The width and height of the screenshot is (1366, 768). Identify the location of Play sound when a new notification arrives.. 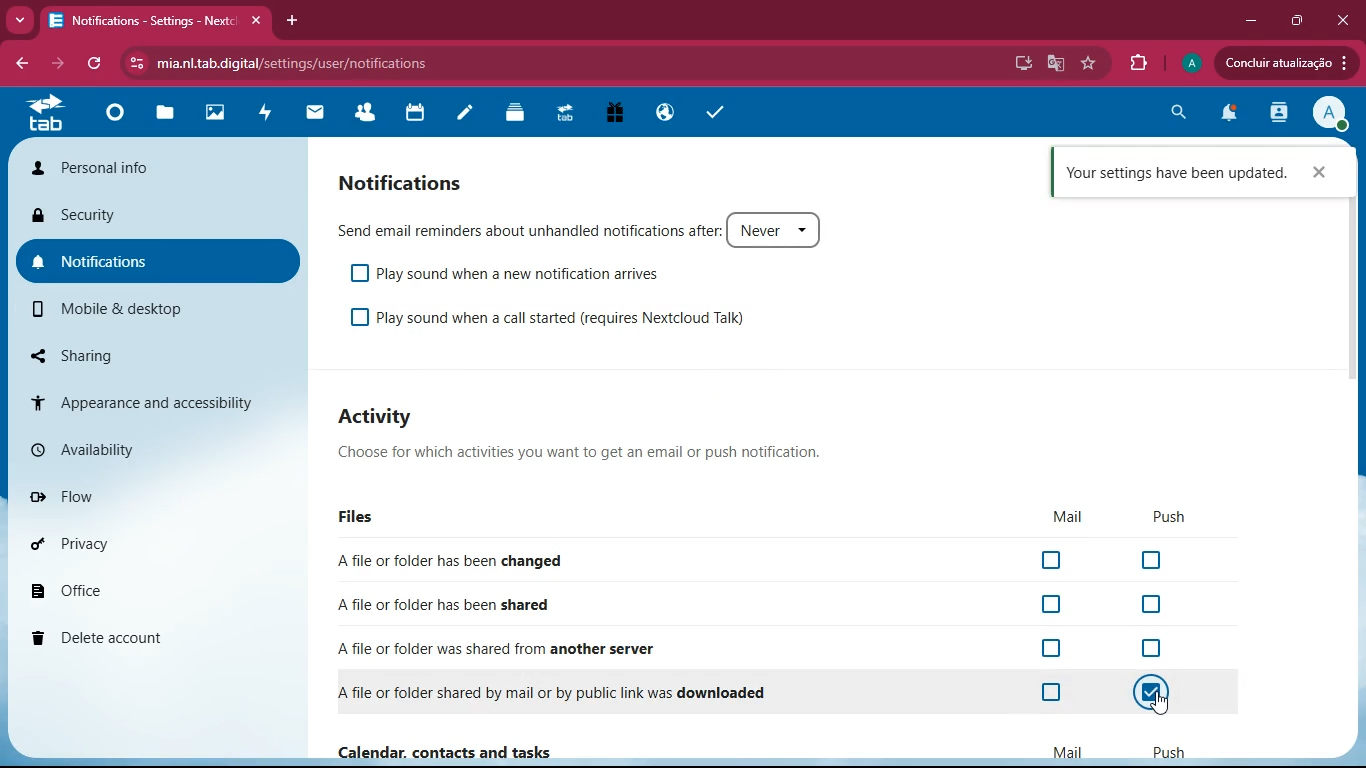
(509, 273).